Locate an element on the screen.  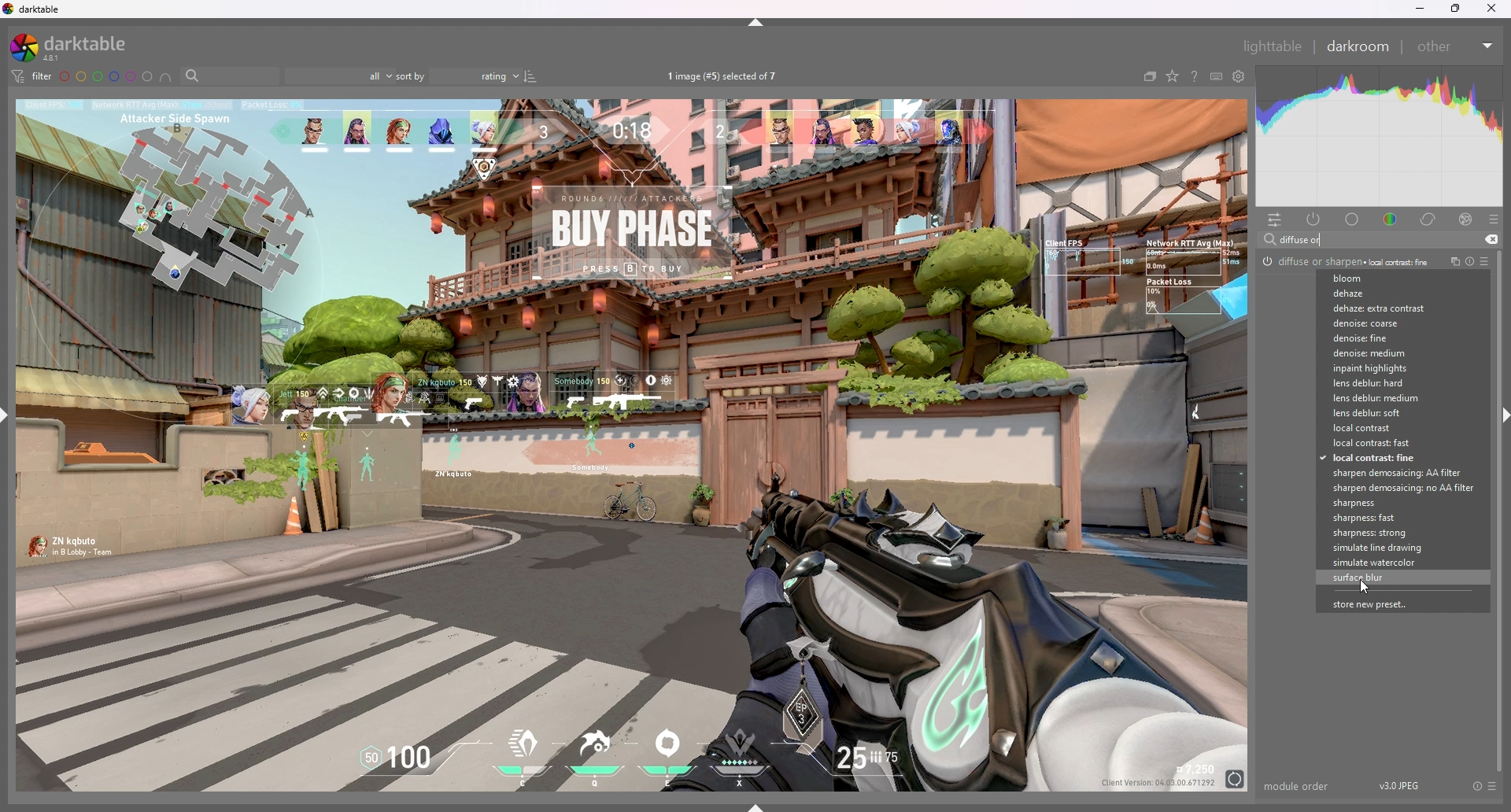
close is located at coordinates (1494, 7).